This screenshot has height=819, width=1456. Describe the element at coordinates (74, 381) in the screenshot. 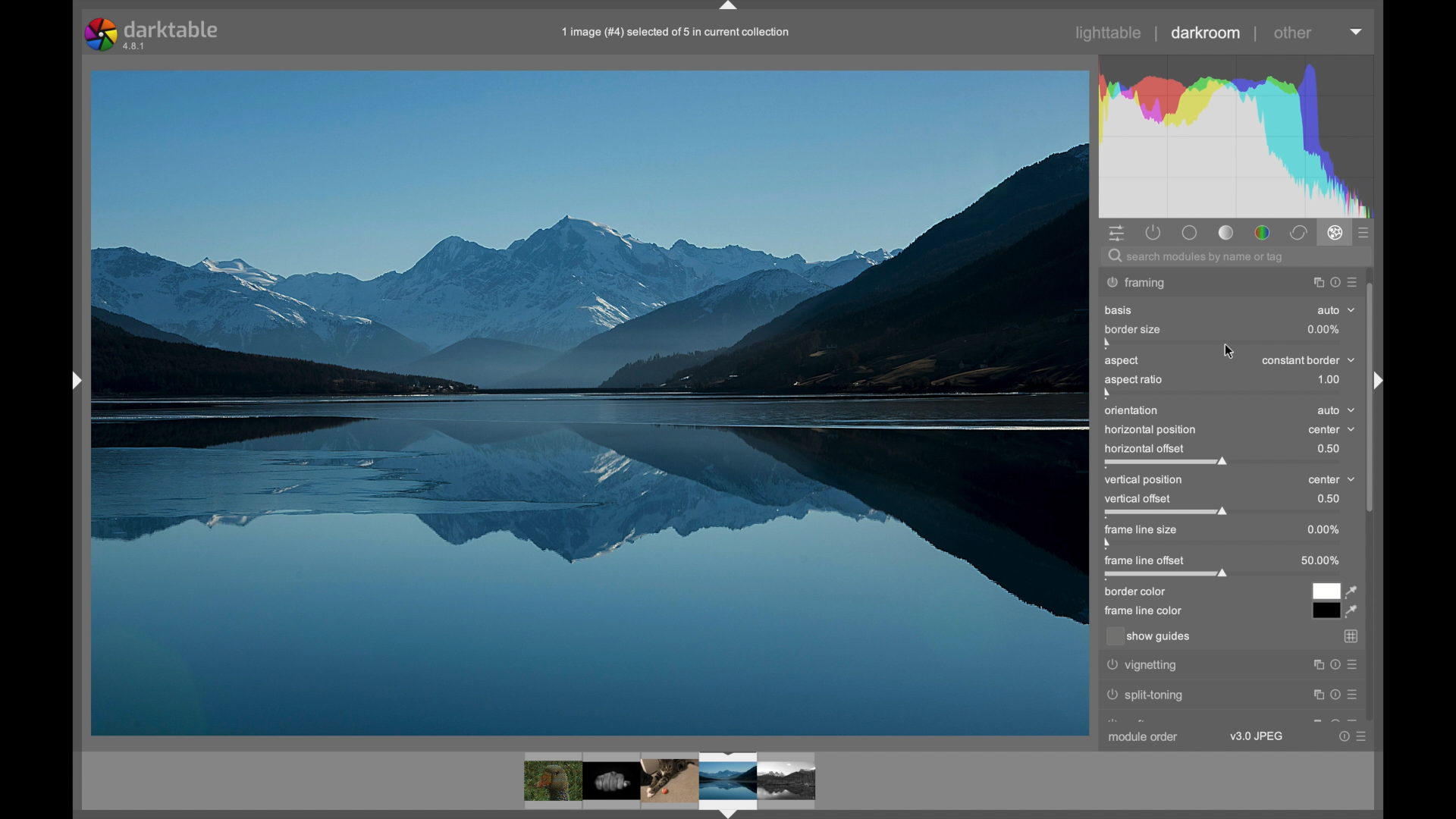

I see `drag handle` at that location.